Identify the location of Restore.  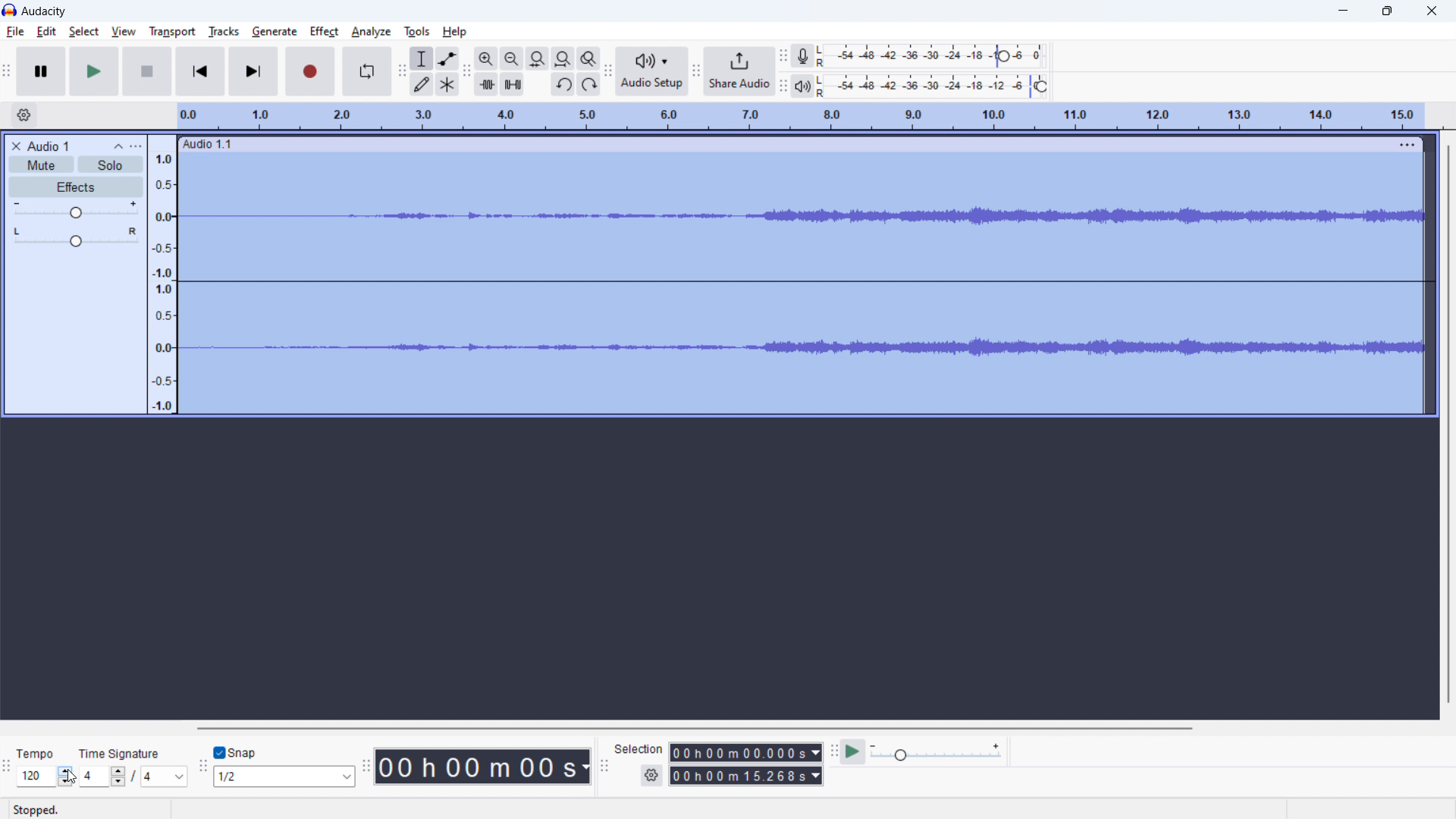
(1385, 11).